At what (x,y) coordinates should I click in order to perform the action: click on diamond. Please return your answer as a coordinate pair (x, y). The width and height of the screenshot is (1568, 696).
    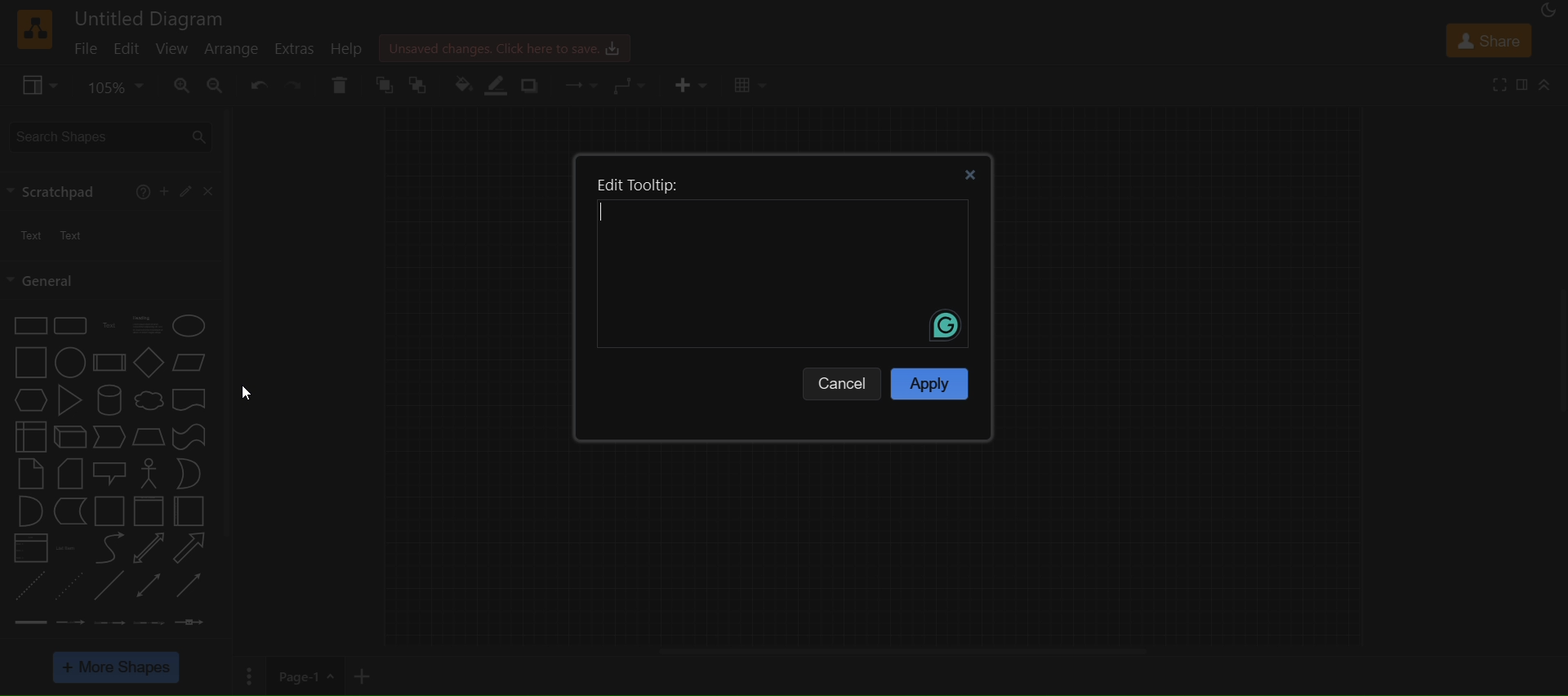
    Looking at the image, I should click on (146, 361).